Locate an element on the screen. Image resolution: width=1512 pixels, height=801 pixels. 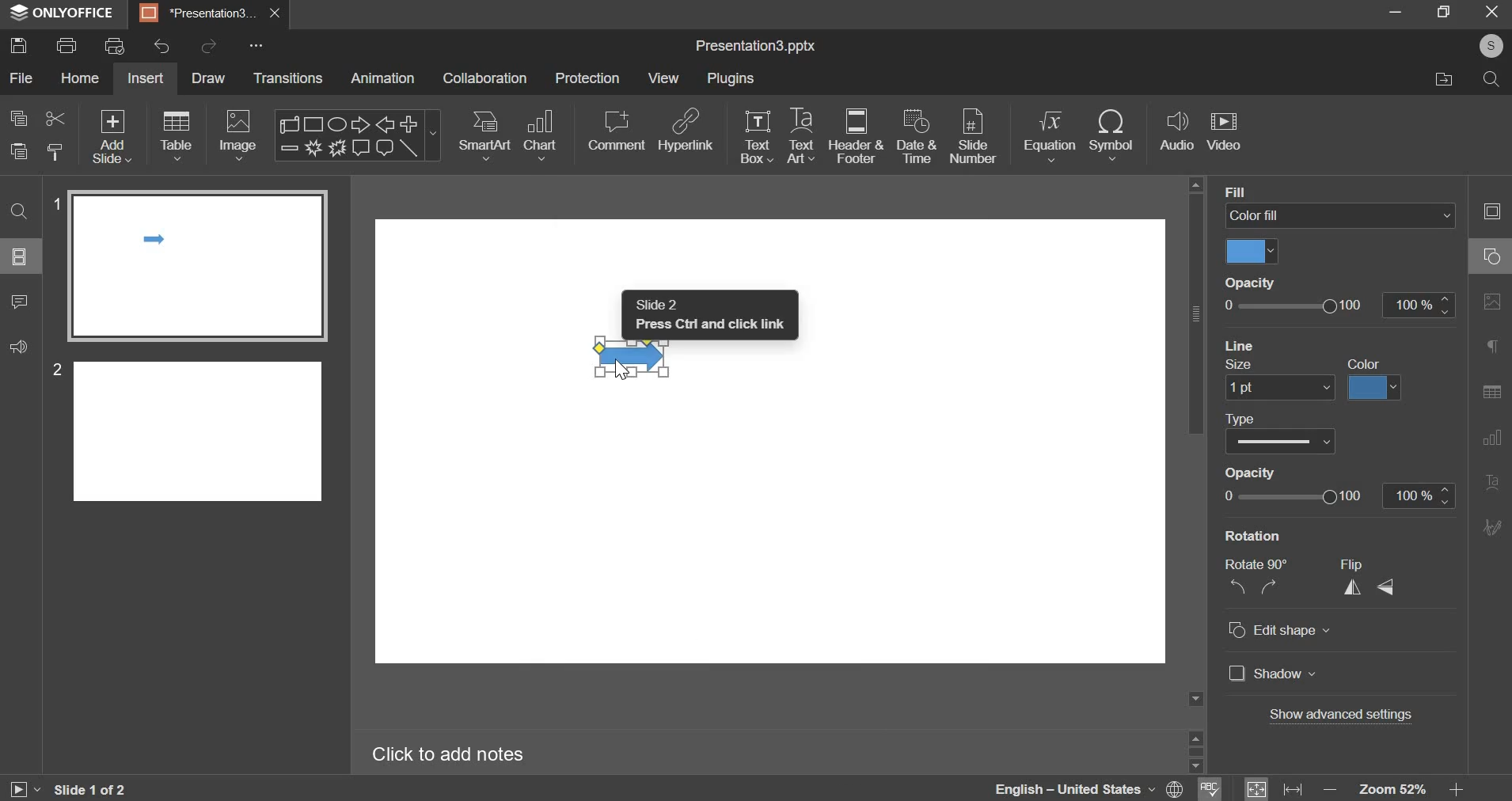
Text Art settings is located at coordinates (1492, 483).